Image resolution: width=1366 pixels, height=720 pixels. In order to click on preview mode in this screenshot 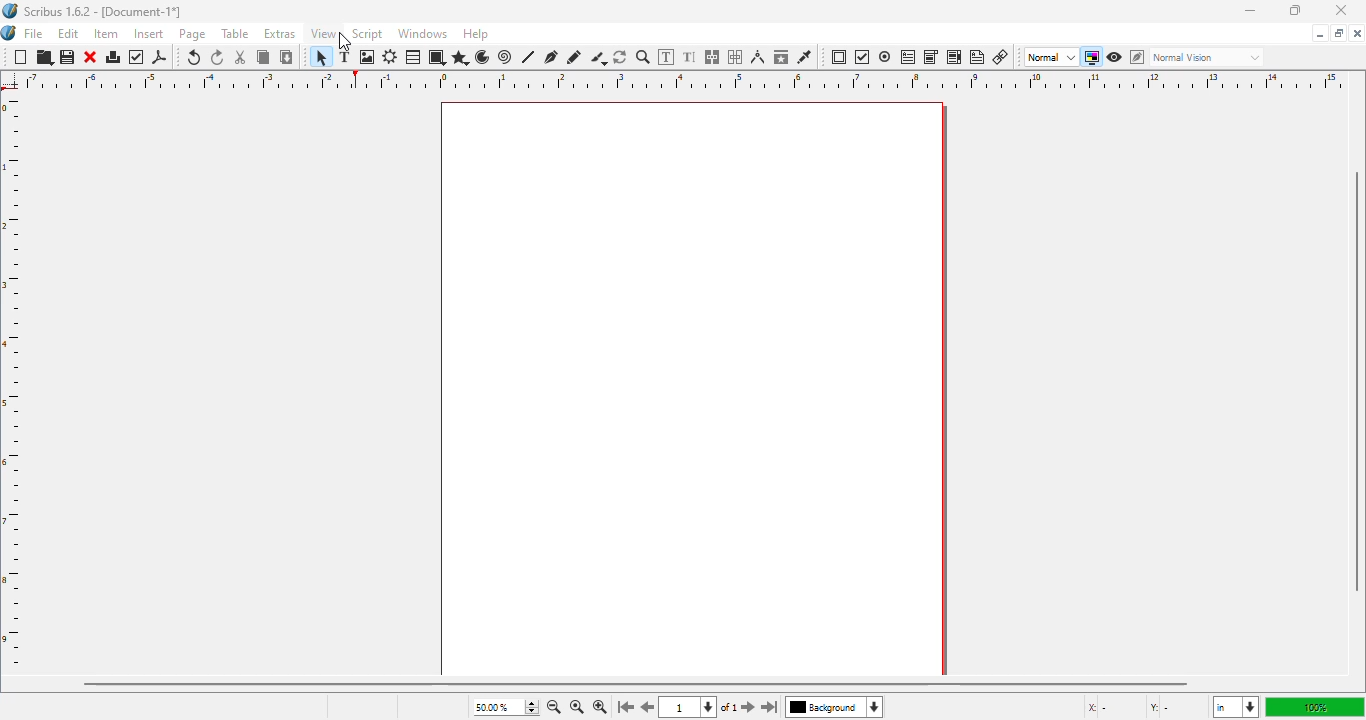, I will do `click(1115, 56)`.